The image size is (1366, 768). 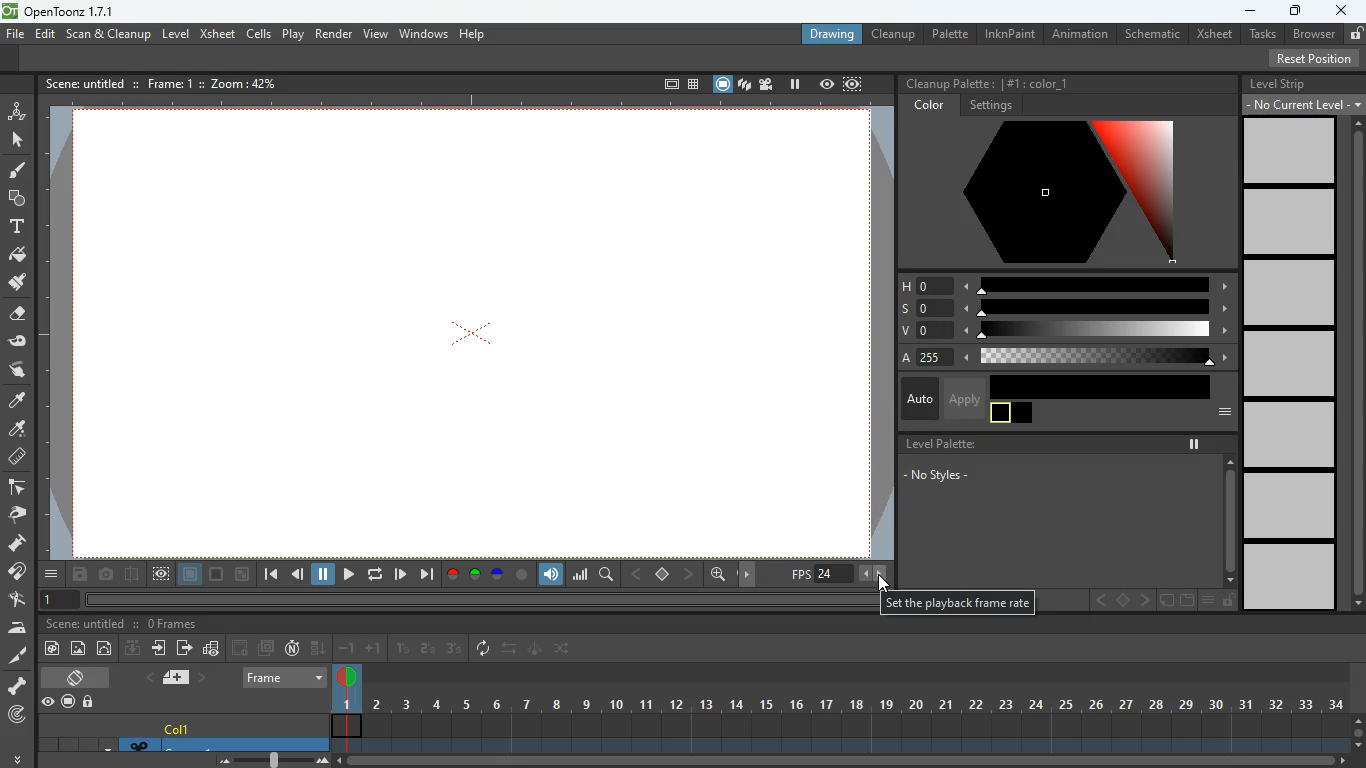 I want to click on edit, so click(x=45, y=35).